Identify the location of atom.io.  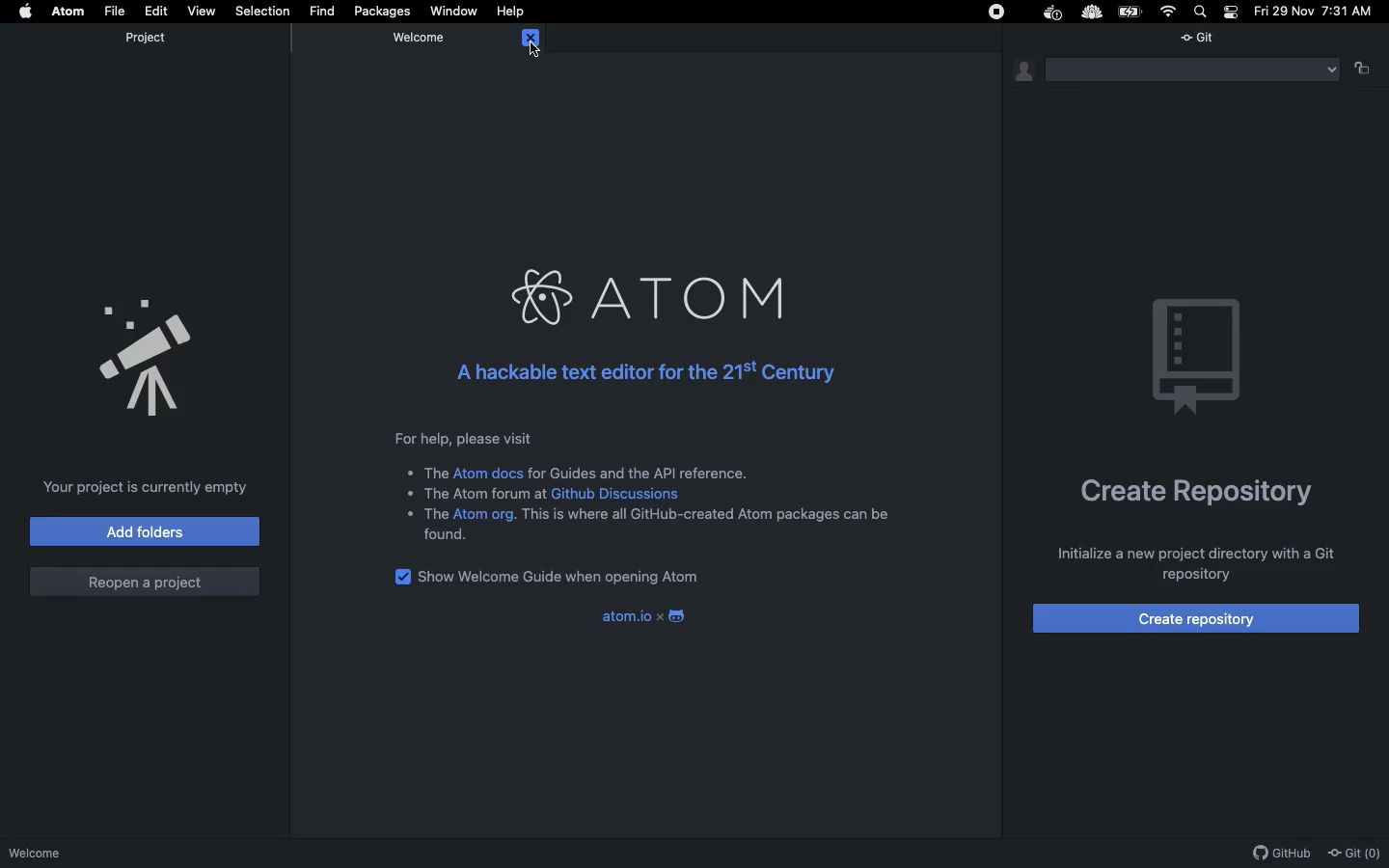
(645, 617).